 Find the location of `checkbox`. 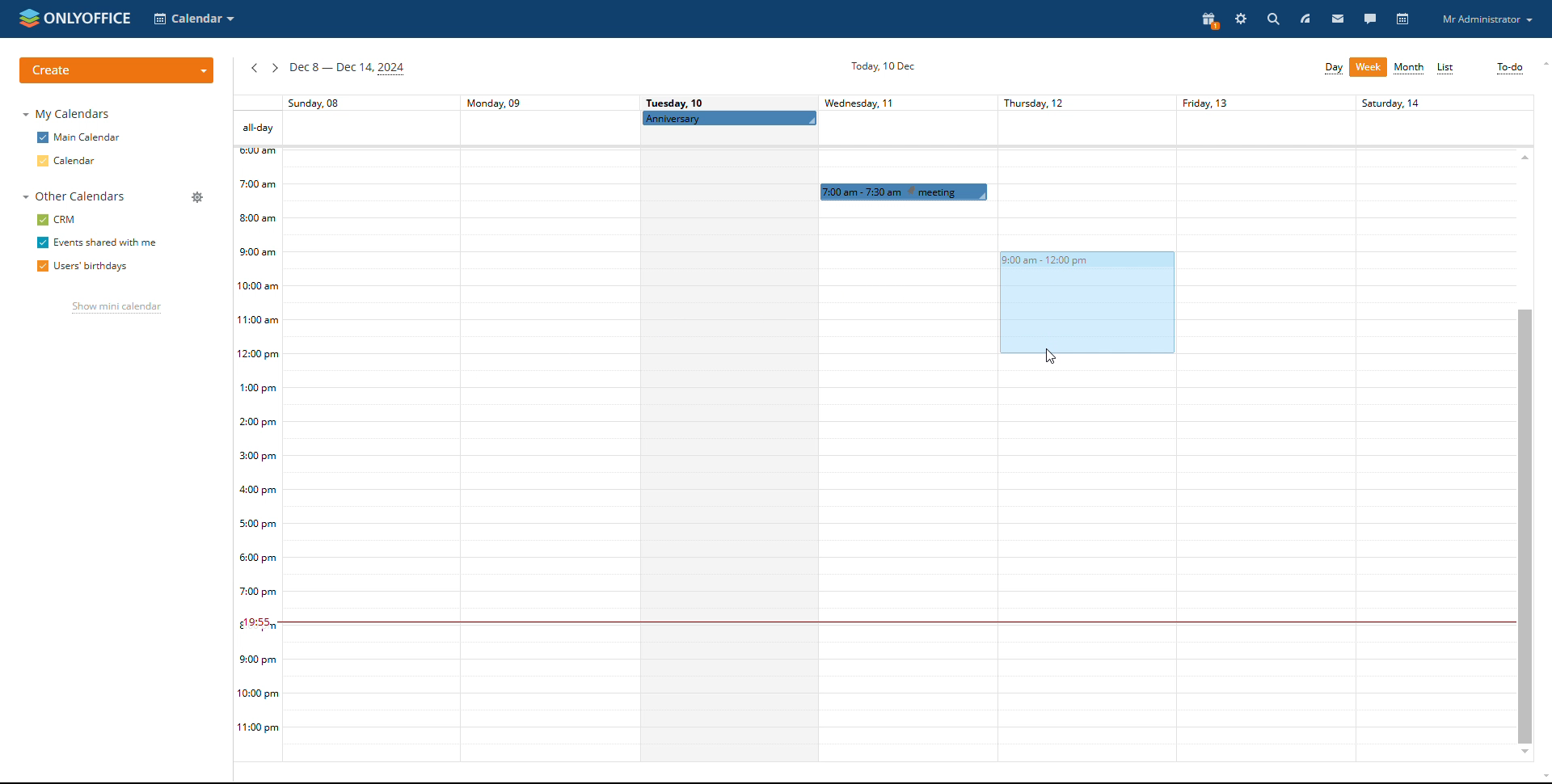

checkbox is located at coordinates (41, 161).